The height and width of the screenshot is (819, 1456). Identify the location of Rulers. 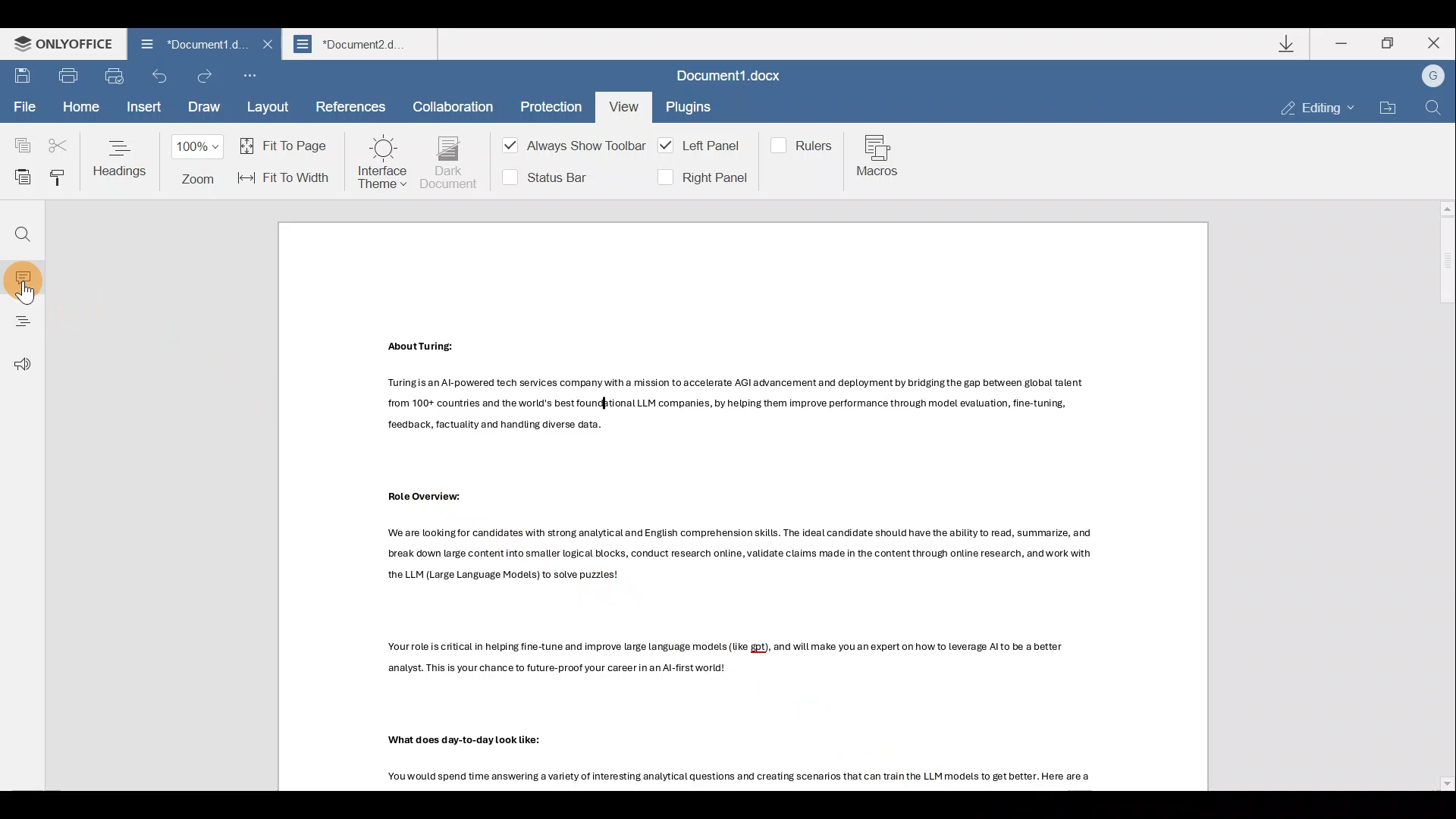
(805, 144).